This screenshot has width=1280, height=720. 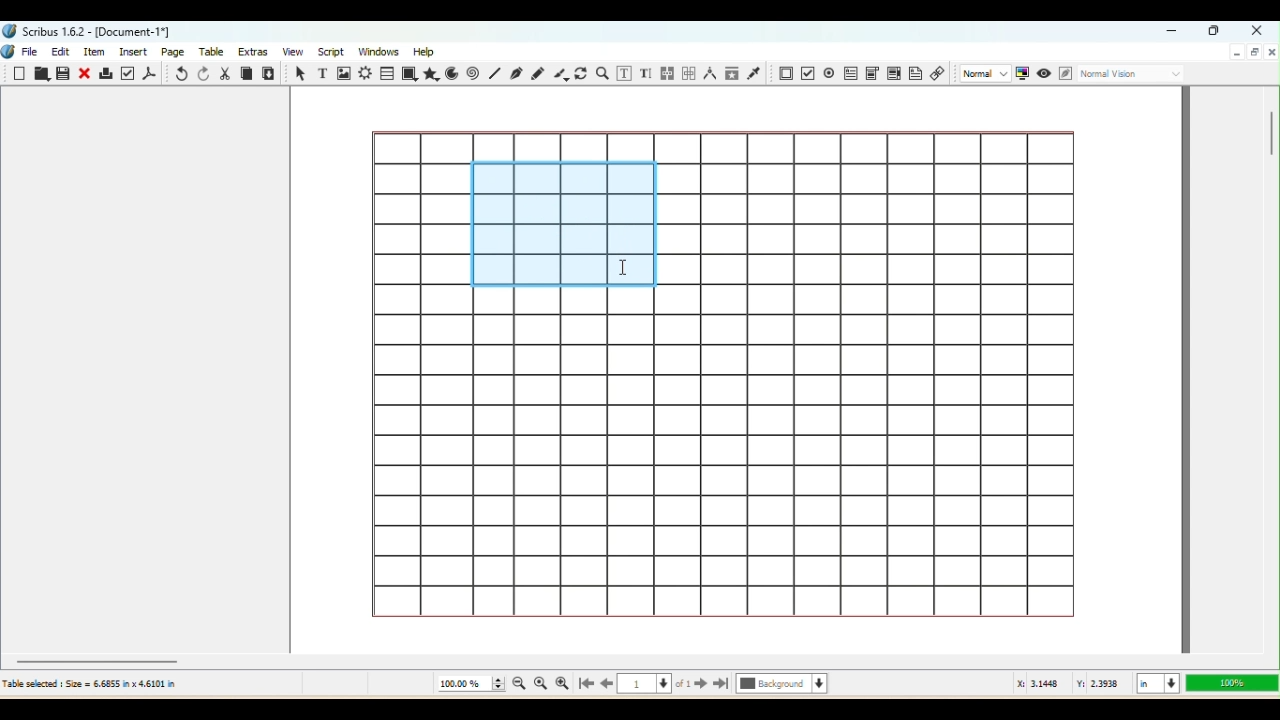 I want to click on Text Annotation, so click(x=915, y=76).